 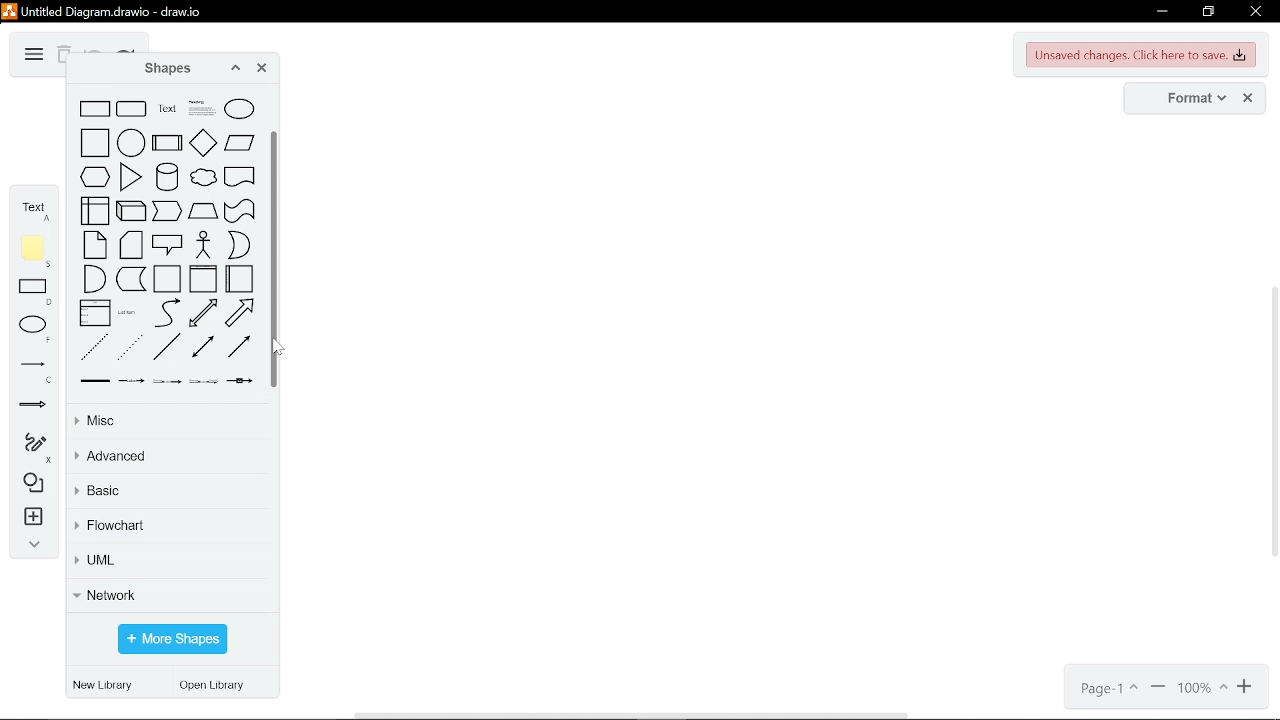 What do you see at coordinates (106, 686) in the screenshot?
I see `new library` at bounding box center [106, 686].